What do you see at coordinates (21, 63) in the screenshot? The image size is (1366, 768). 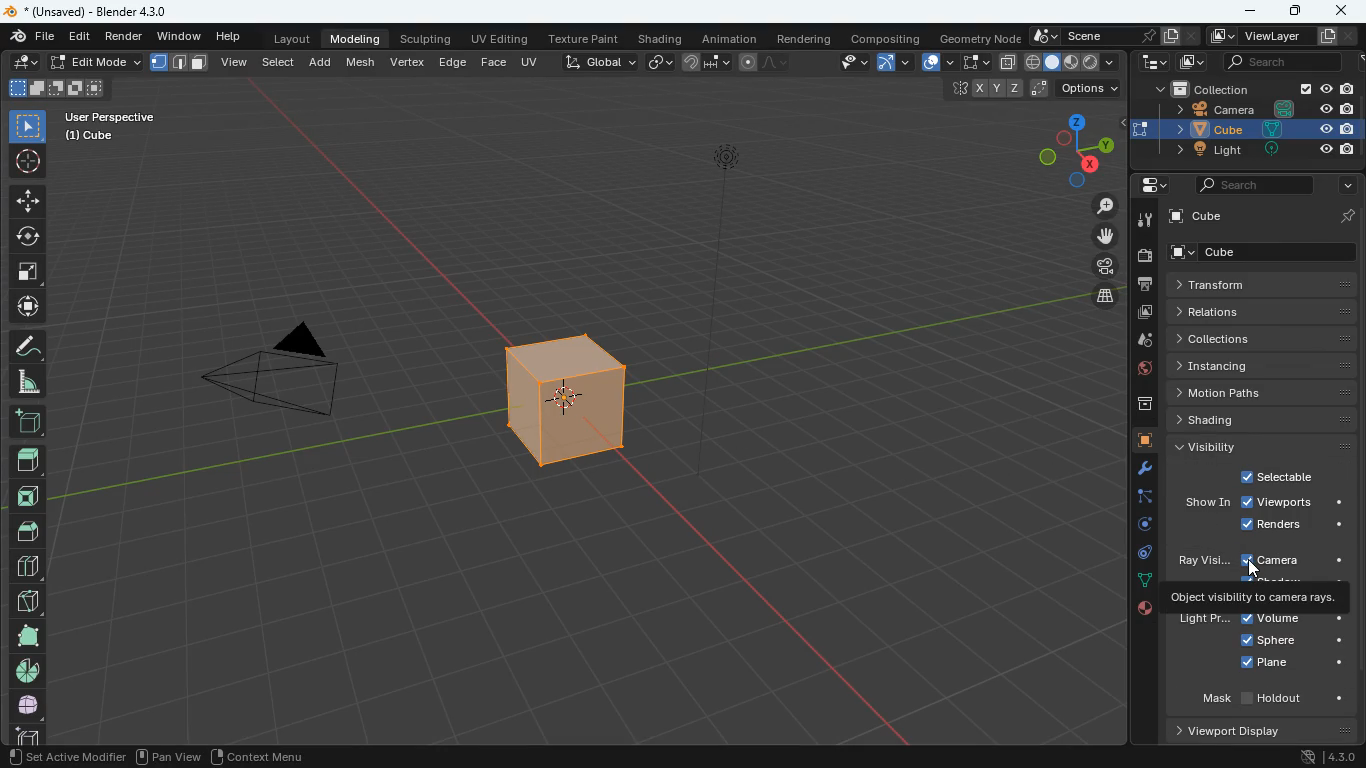 I see `edit` at bounding box center [21, 63].